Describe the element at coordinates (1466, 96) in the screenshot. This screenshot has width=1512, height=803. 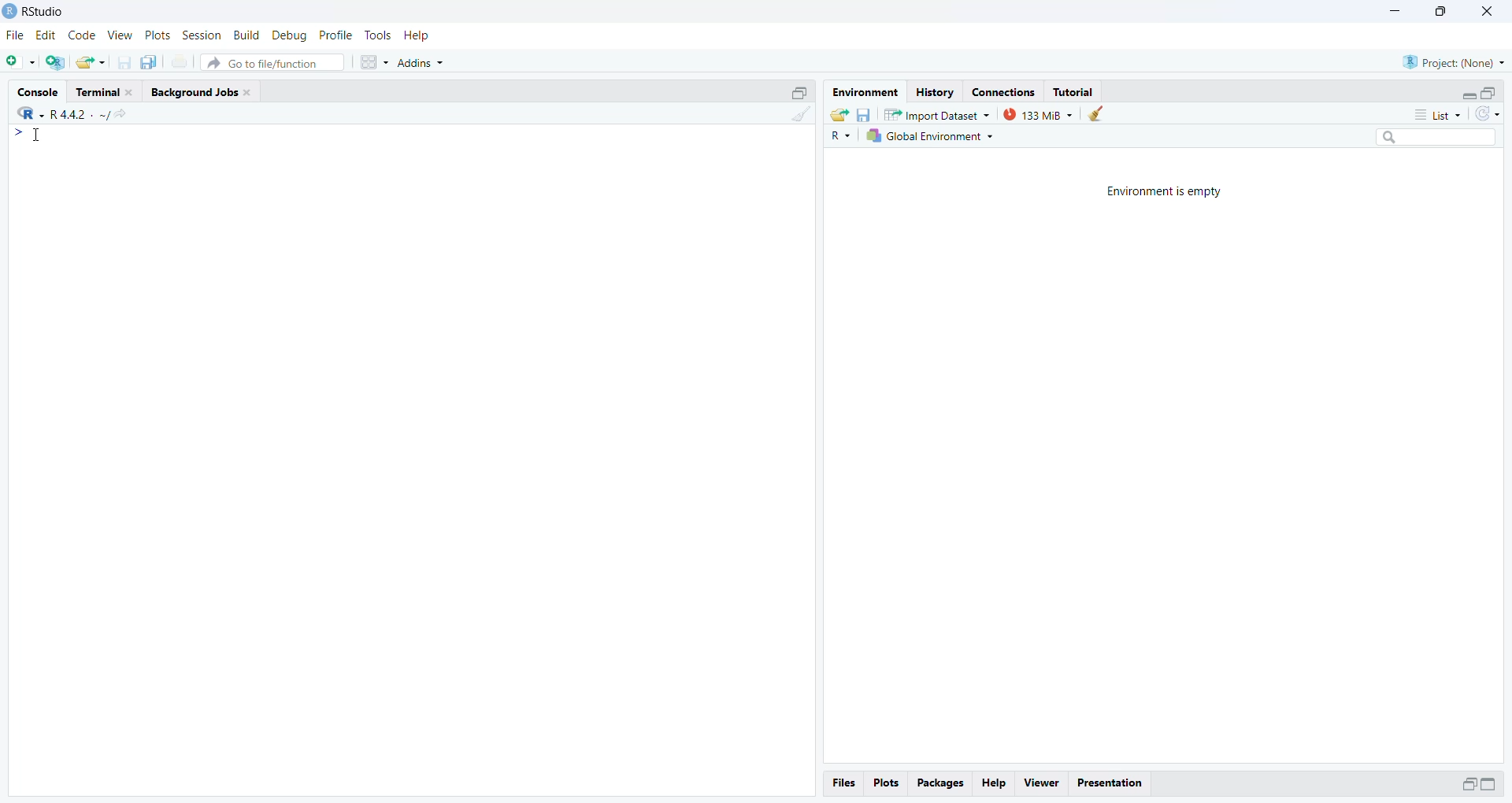
I see `Expand/Collapse` at that location.